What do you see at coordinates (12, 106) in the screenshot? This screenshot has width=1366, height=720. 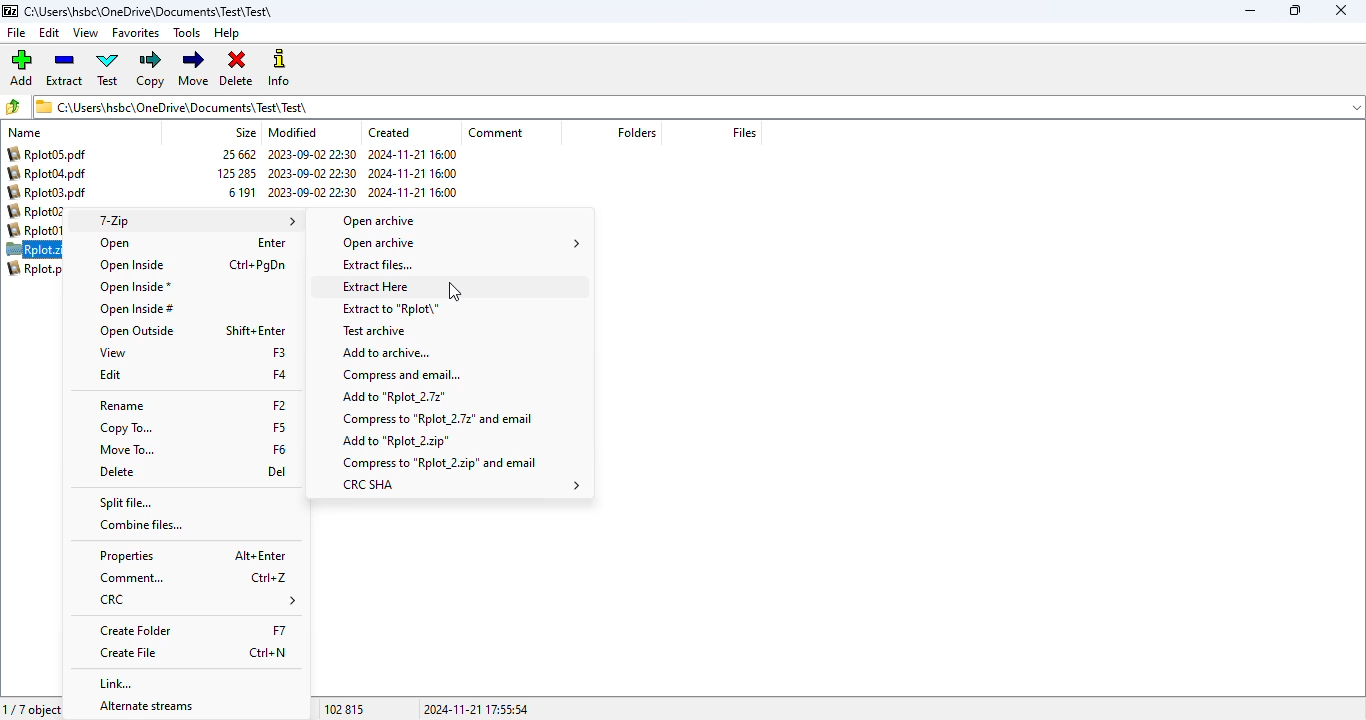 I see `browse folders` at bounding box center [12, 106].